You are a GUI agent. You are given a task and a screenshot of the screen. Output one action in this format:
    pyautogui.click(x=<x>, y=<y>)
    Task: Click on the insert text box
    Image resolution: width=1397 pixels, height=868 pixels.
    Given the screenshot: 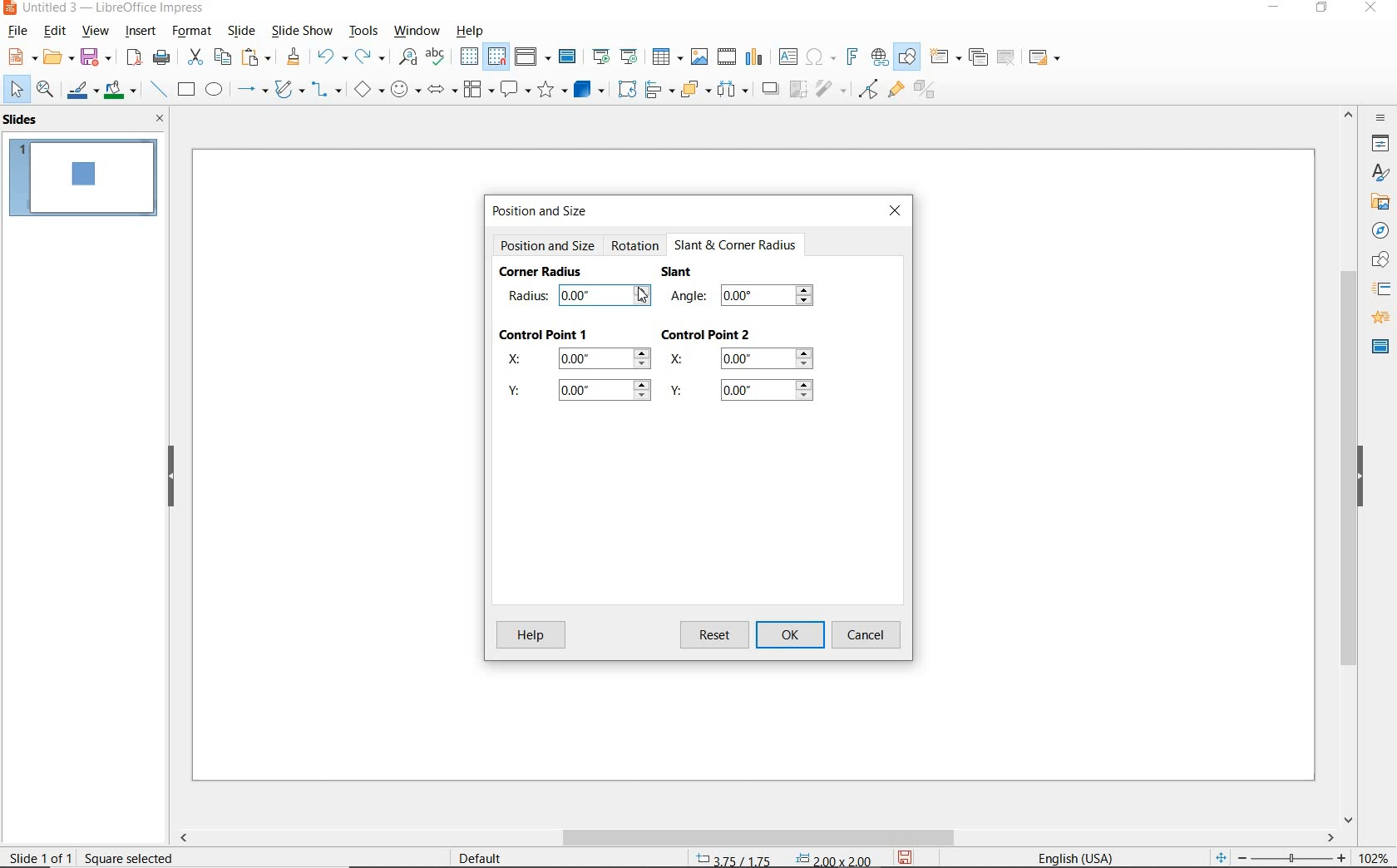 What is the action you would take?
    pyautogui.click(x=787, y=56)
    